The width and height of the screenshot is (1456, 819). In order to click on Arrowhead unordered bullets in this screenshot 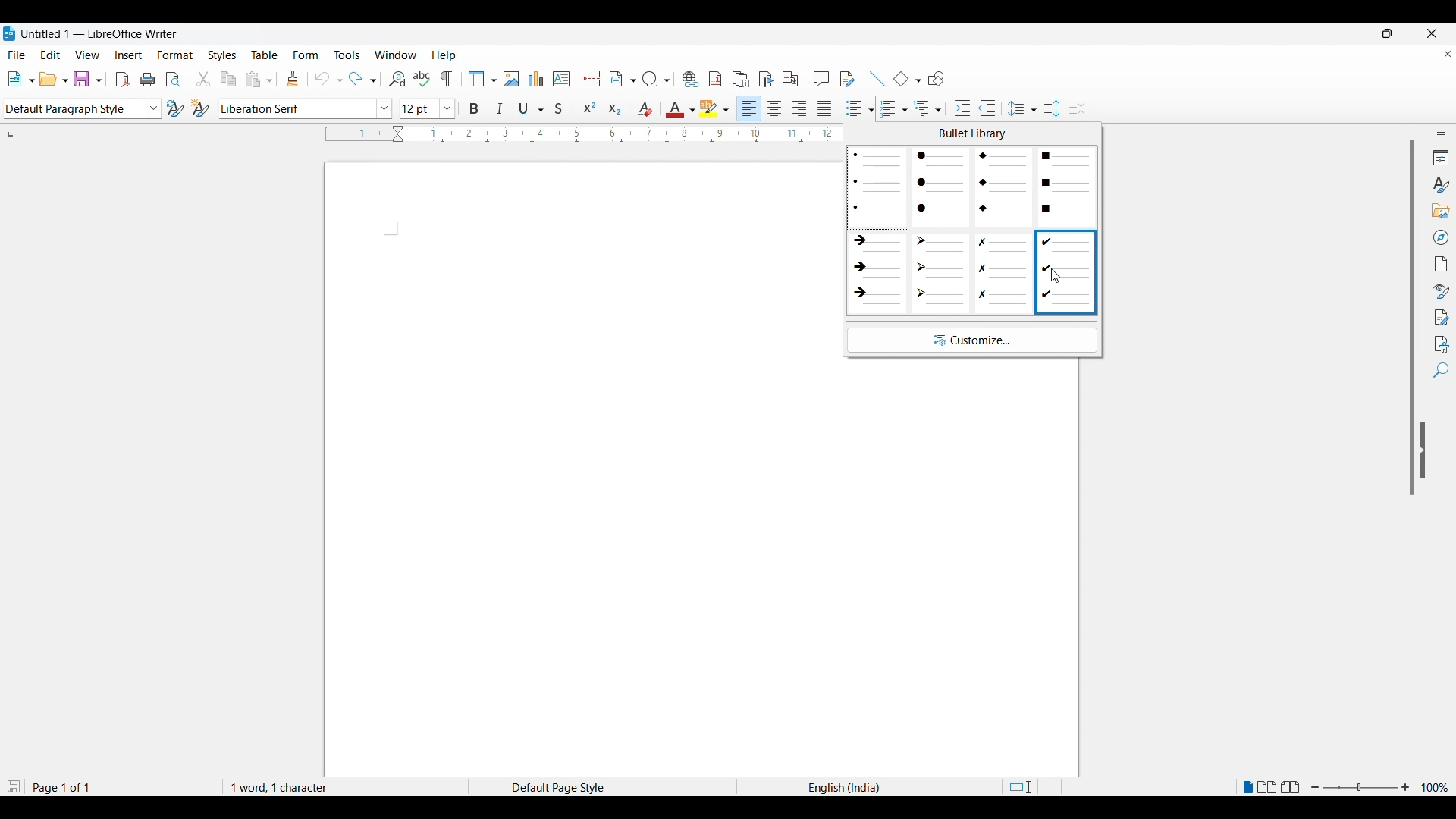, I will do `click(940, 270)`.